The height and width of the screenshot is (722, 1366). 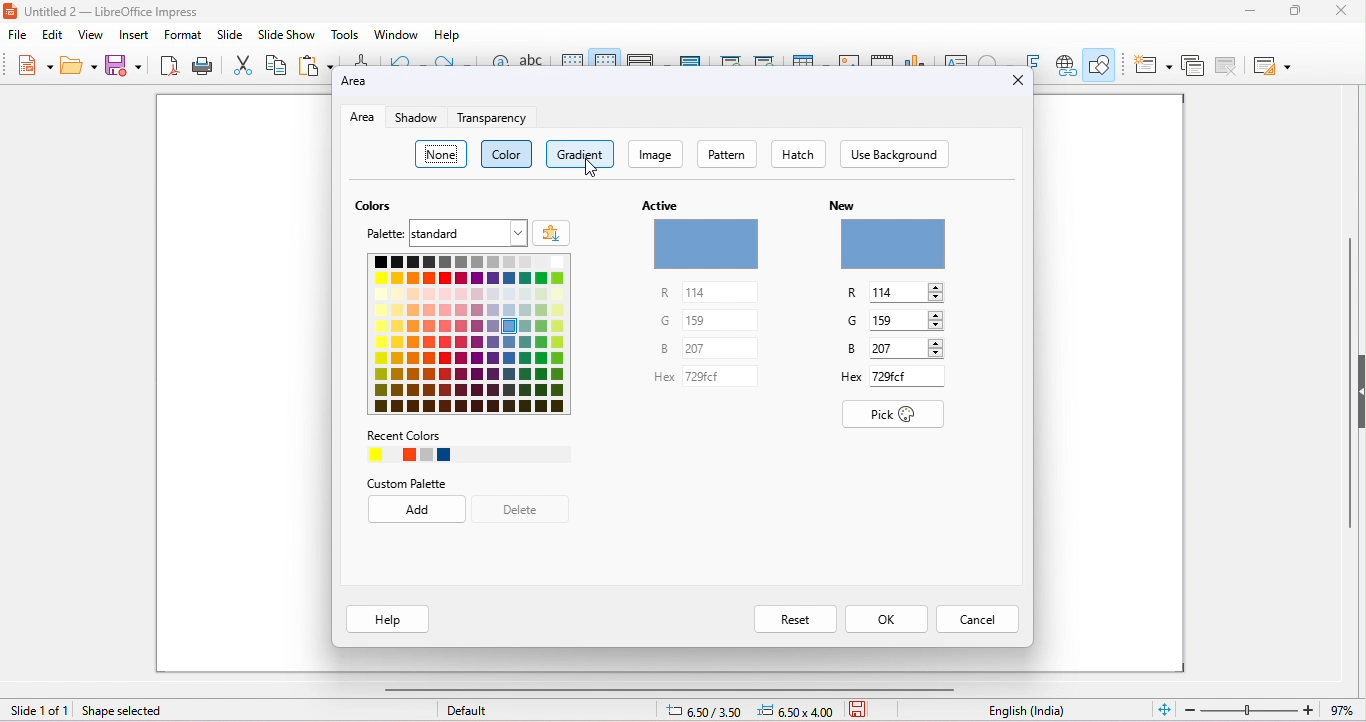 What do you see at coordinates (1019, 81) in the screenshot?
I see `close` at bounding box center [1019, 81].